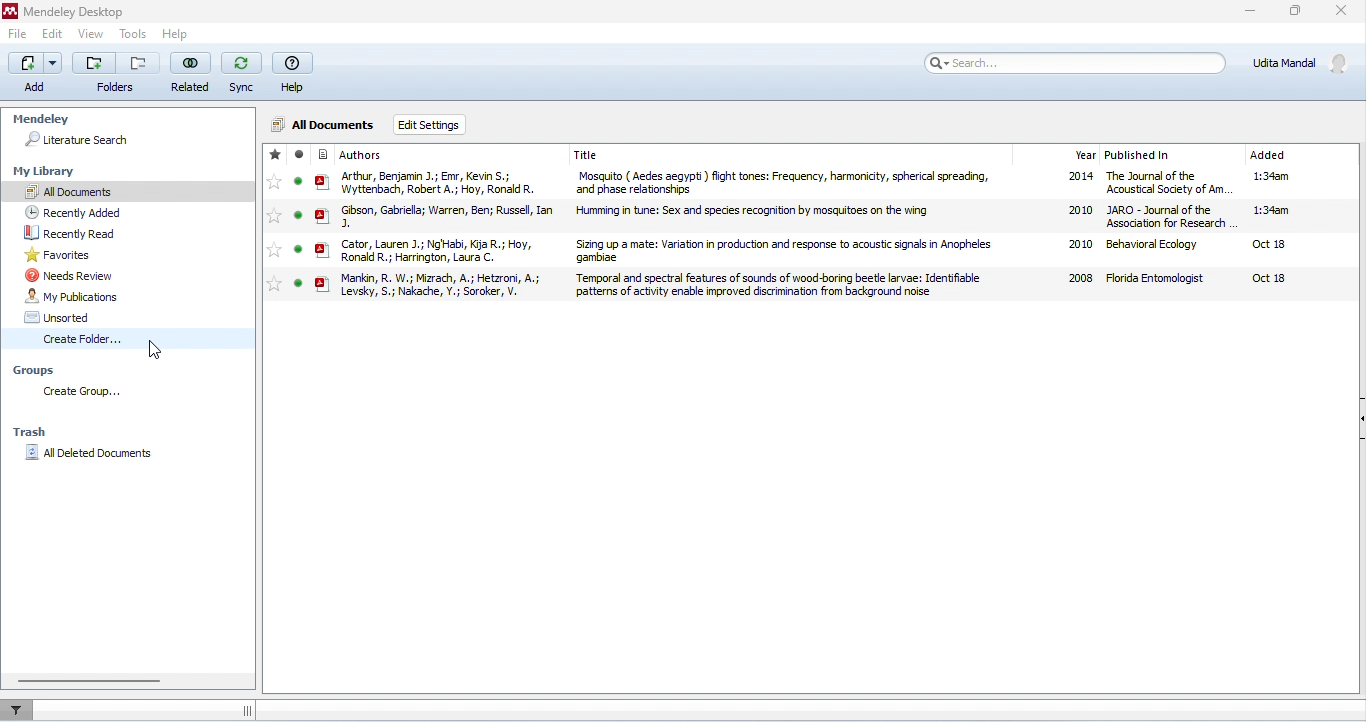 Image resolution: width=1366 pixels, height=722 pixels. Describe the element at coordinates (1270, 210) in the screenshot. I see `1:34 am` at that location.